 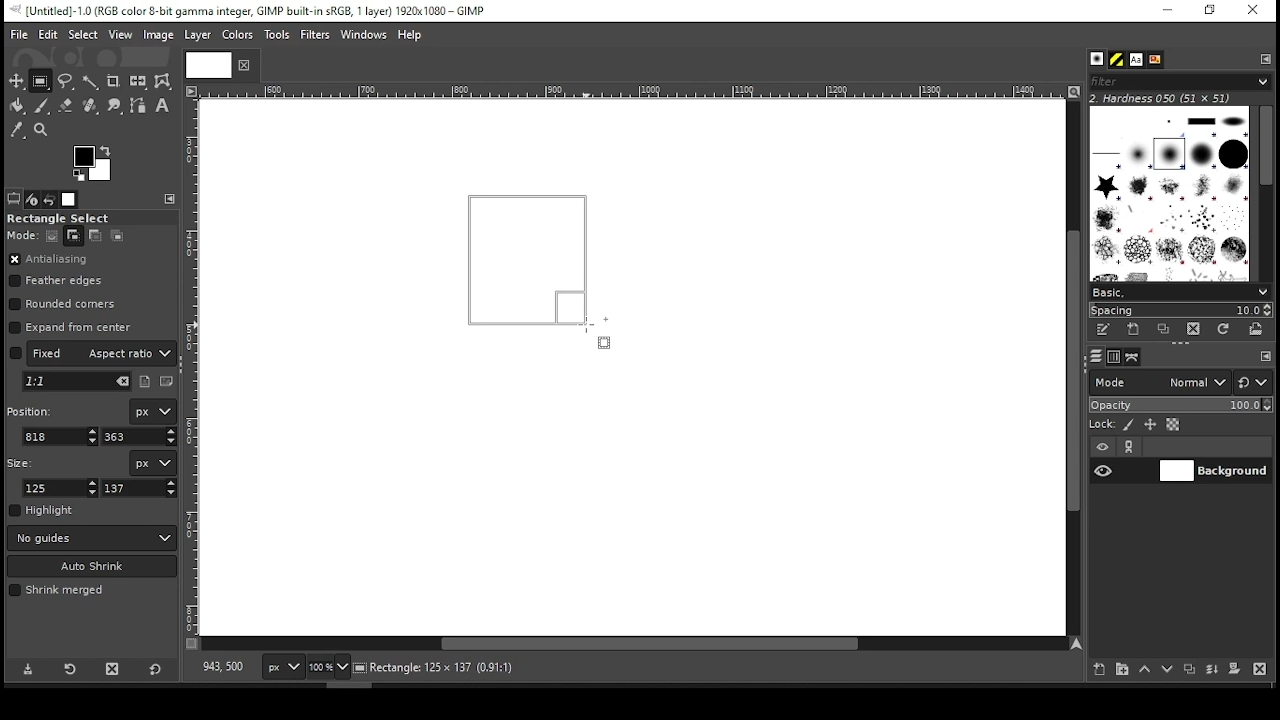 I want to click on background (28.0mb), so click(x=490, y=668).